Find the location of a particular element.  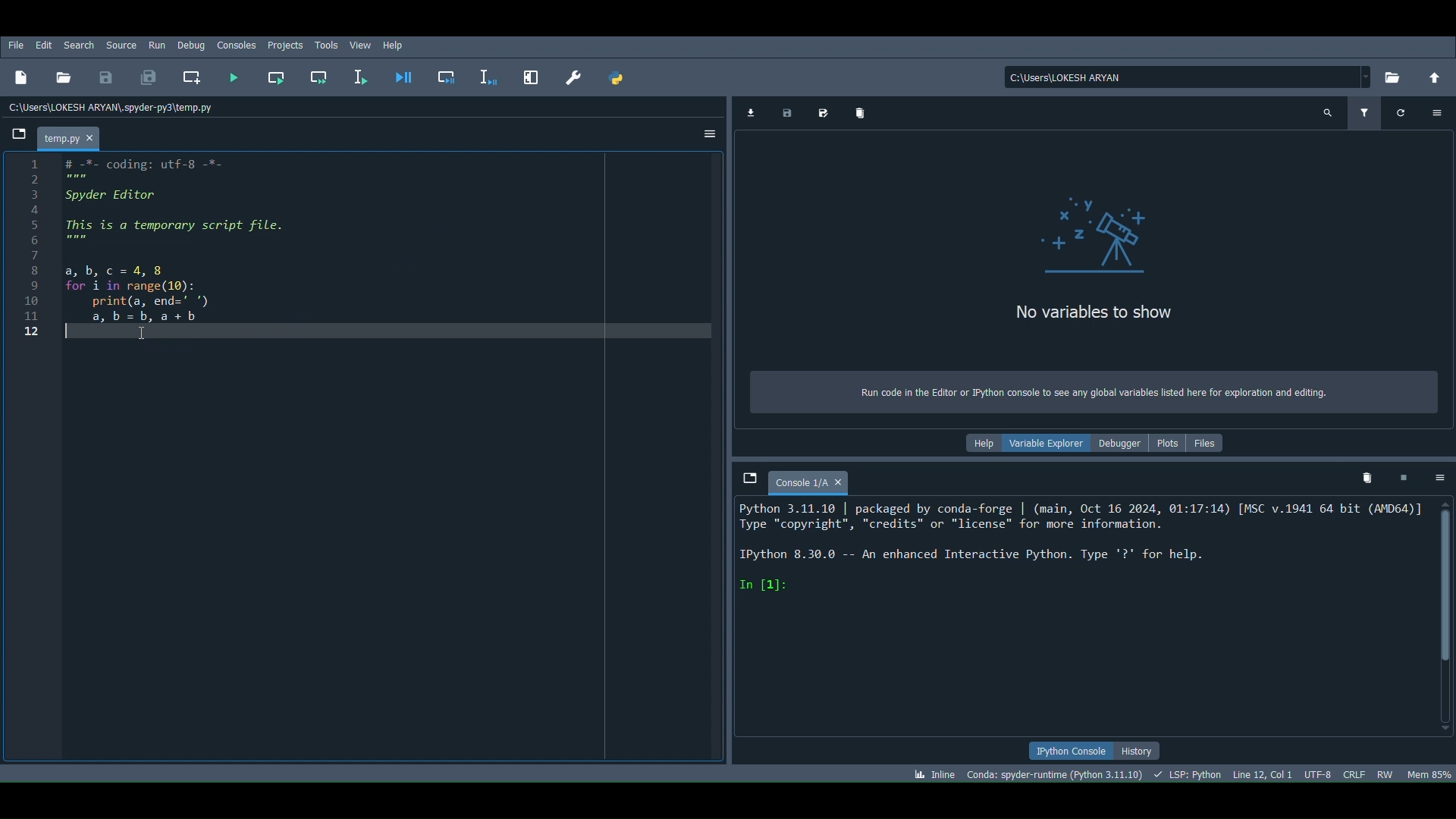

Save data as is located at coordinates (823, 114).